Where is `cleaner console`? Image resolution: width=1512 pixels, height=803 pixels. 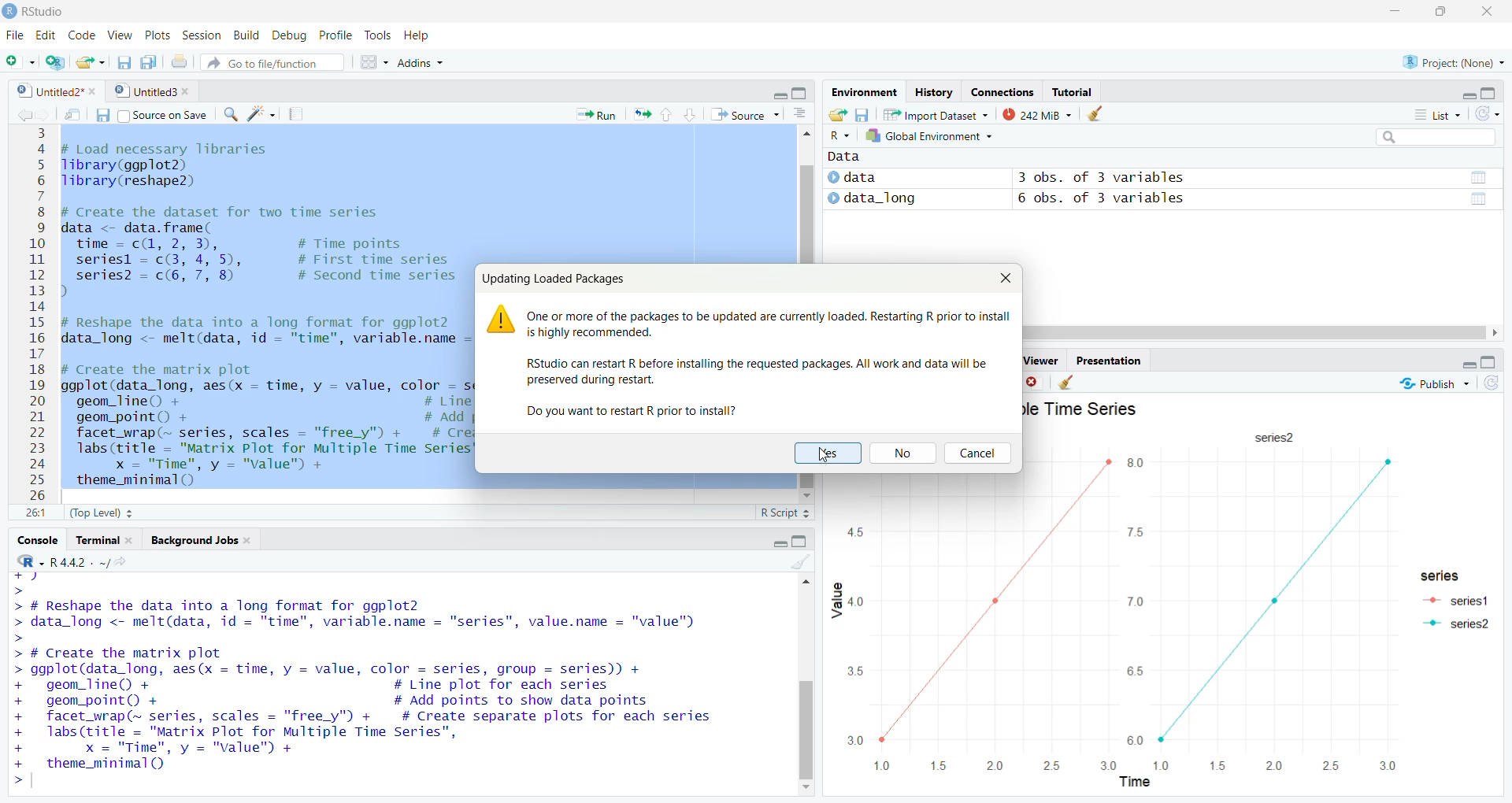 cleaner console is located at coordinates (801, 563).